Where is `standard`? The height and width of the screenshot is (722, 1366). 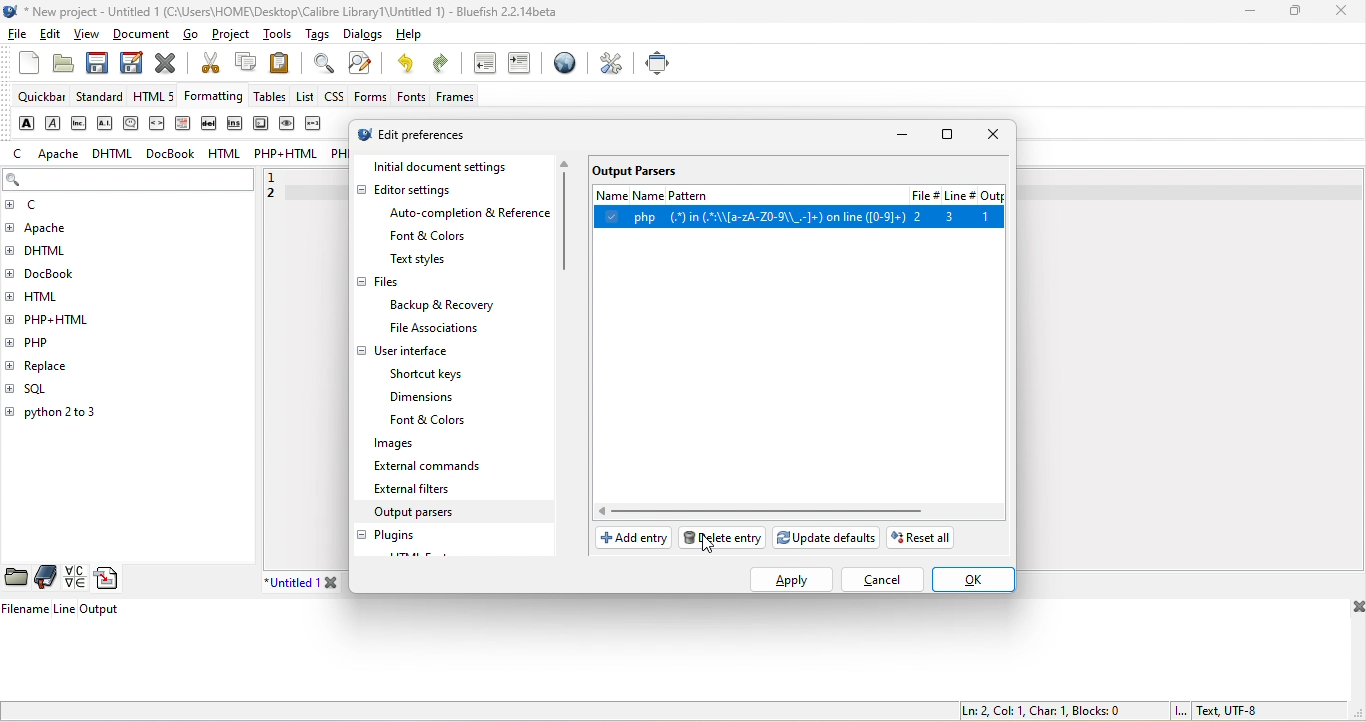
standard is located at coordinates (102, 96).